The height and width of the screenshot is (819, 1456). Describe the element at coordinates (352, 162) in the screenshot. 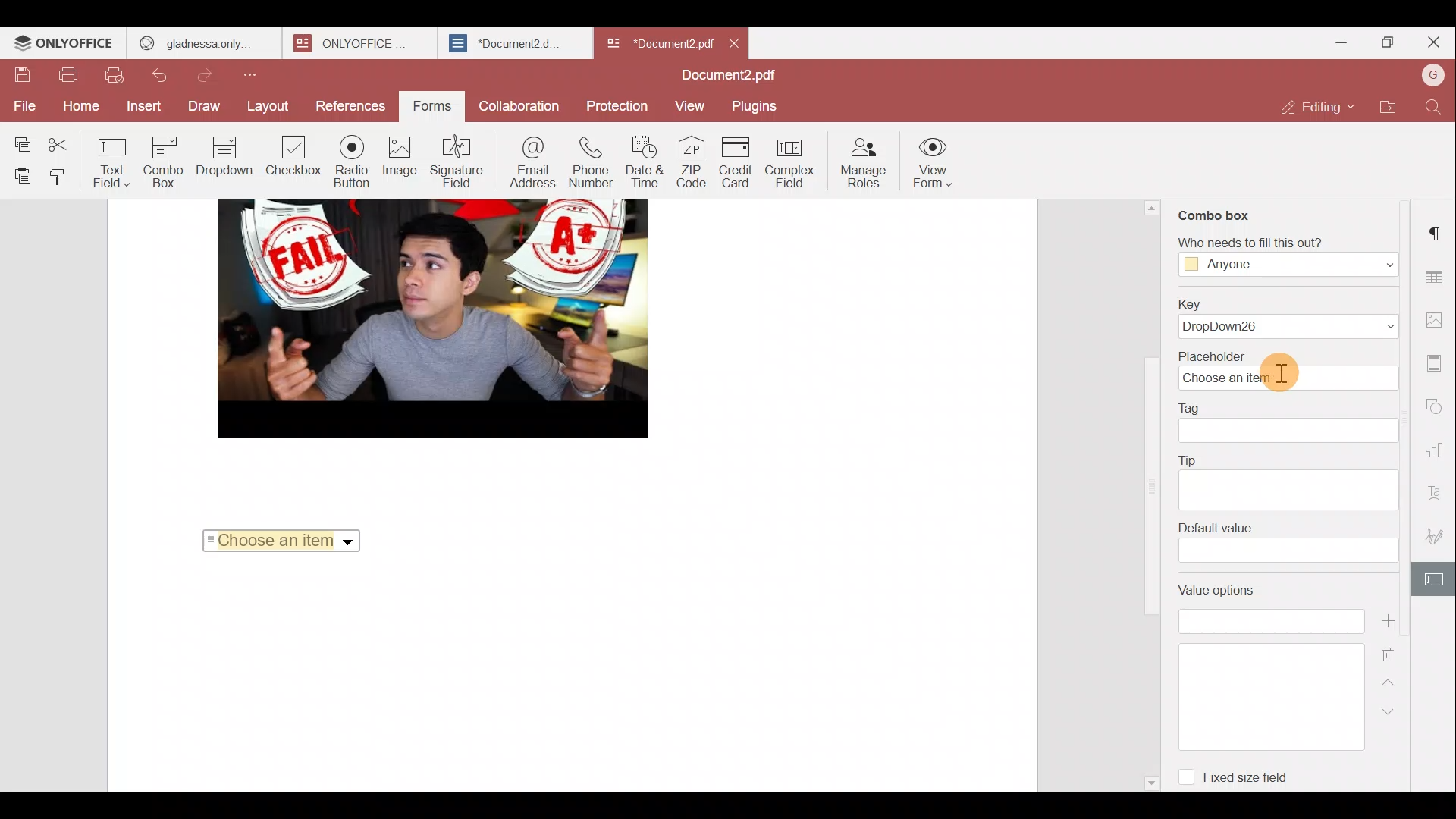

I see `Radio` at that location.